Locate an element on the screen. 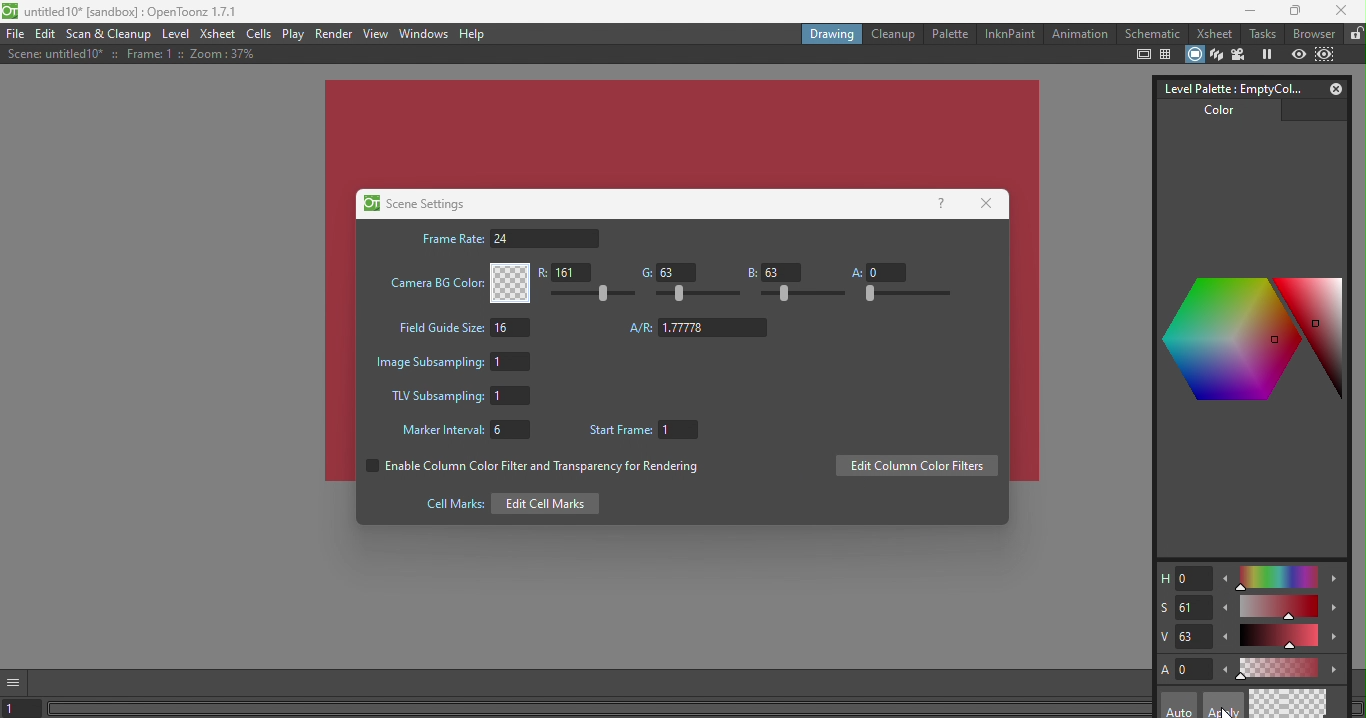 The height and width of the screenshot is (718, 1366). Scene settings is located at coordinates (414, 203).